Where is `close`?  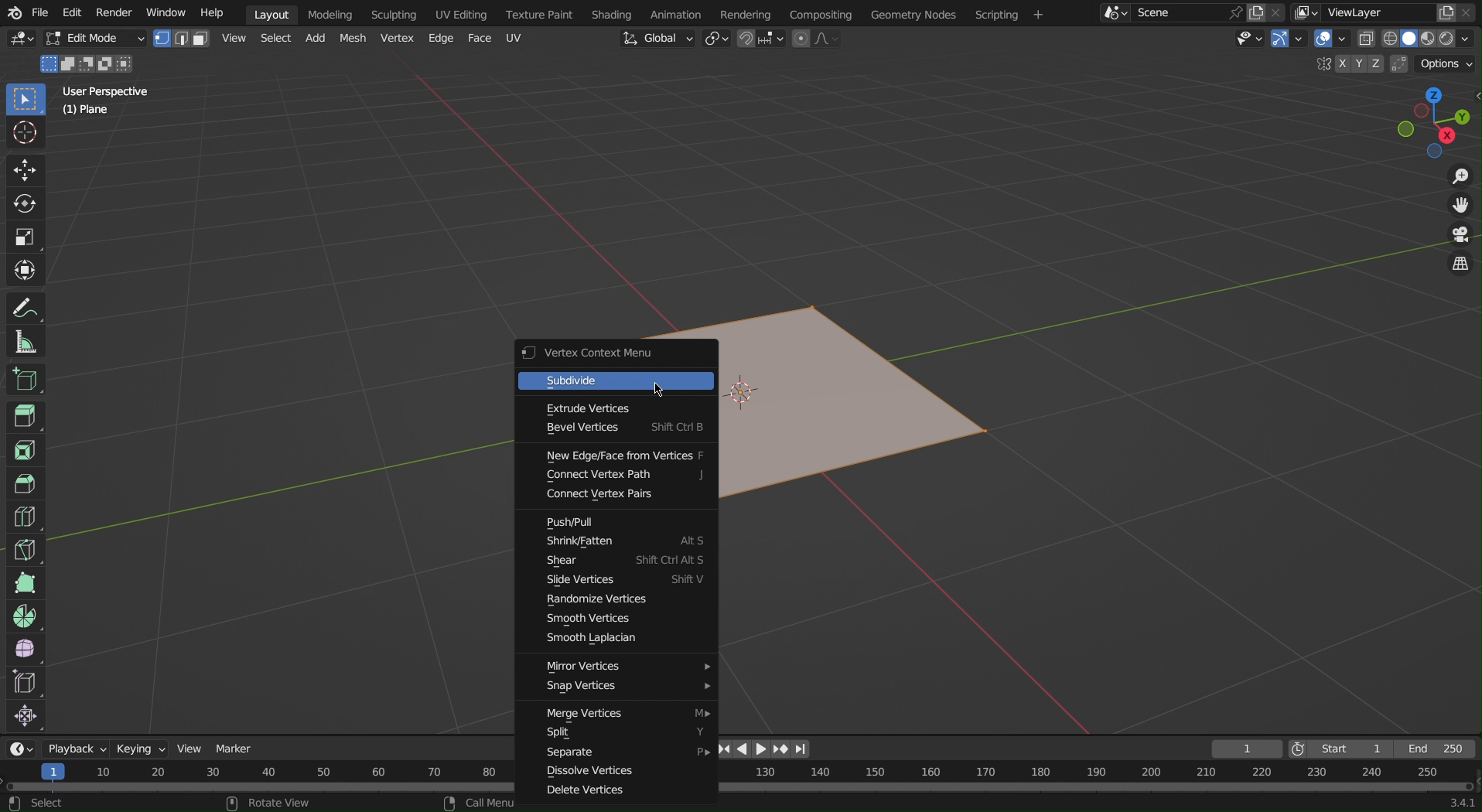 close is located at coordinates (1279, 11).